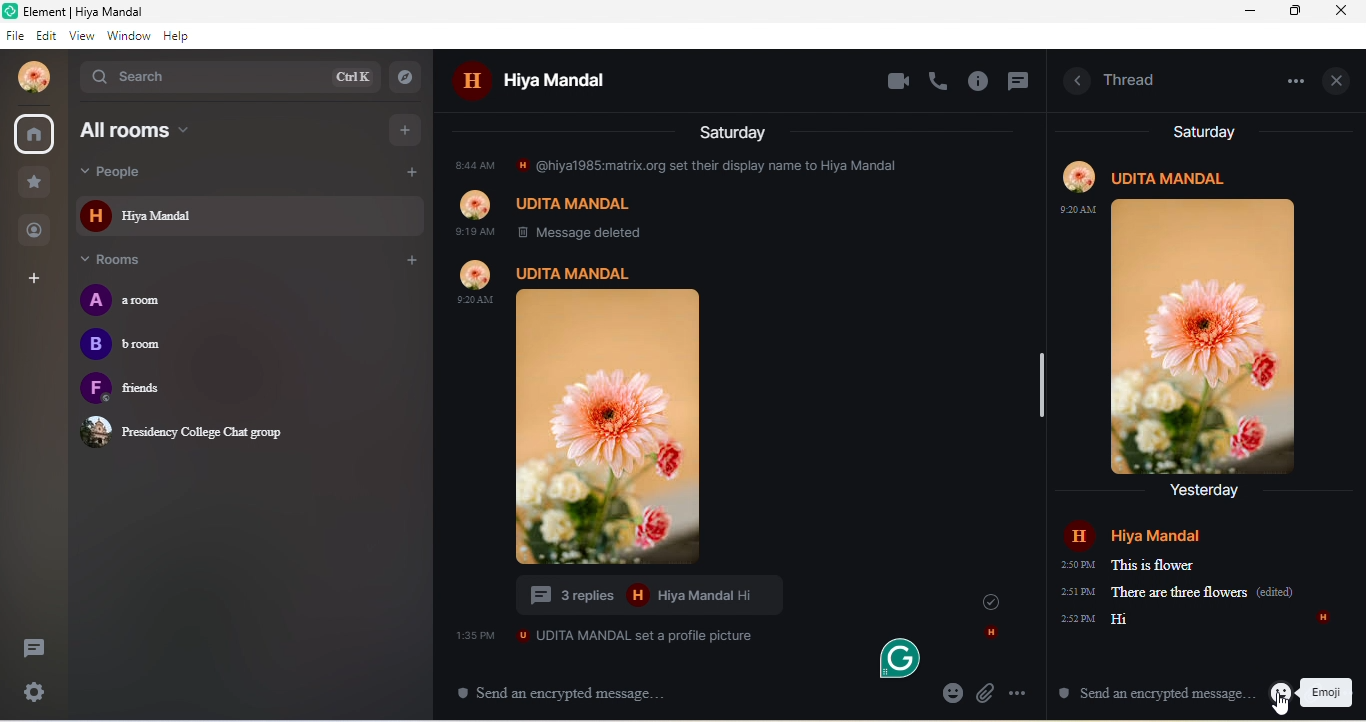 The width and height of the screenshot is (1366, 722). What do you see at coordinates (246, 216) in the screenshot?
I see `Hiya Mandal` at bounding box center [246, 216].